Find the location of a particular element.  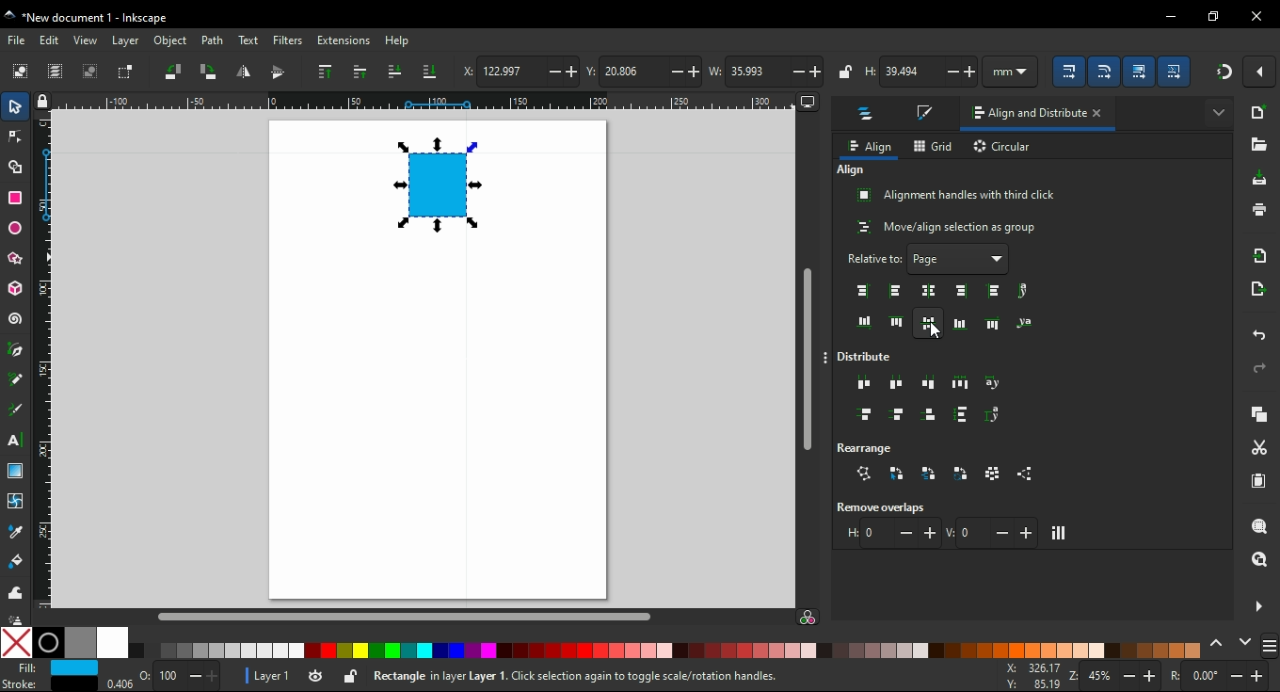

paint bucket tool is located at coordinates (16, 560).